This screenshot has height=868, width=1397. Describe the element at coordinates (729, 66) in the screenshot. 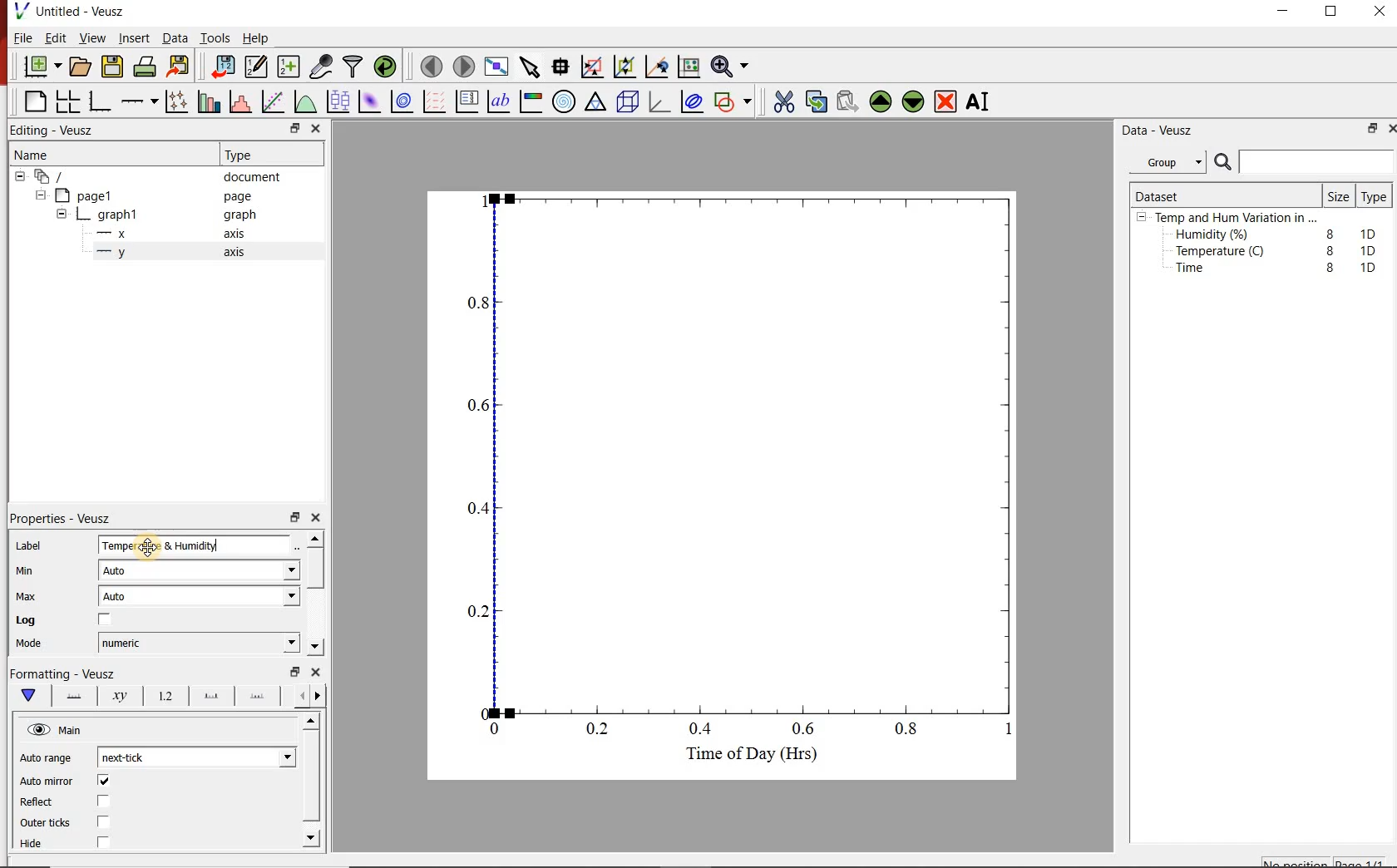

I see `Zoom functions menu` at that location.